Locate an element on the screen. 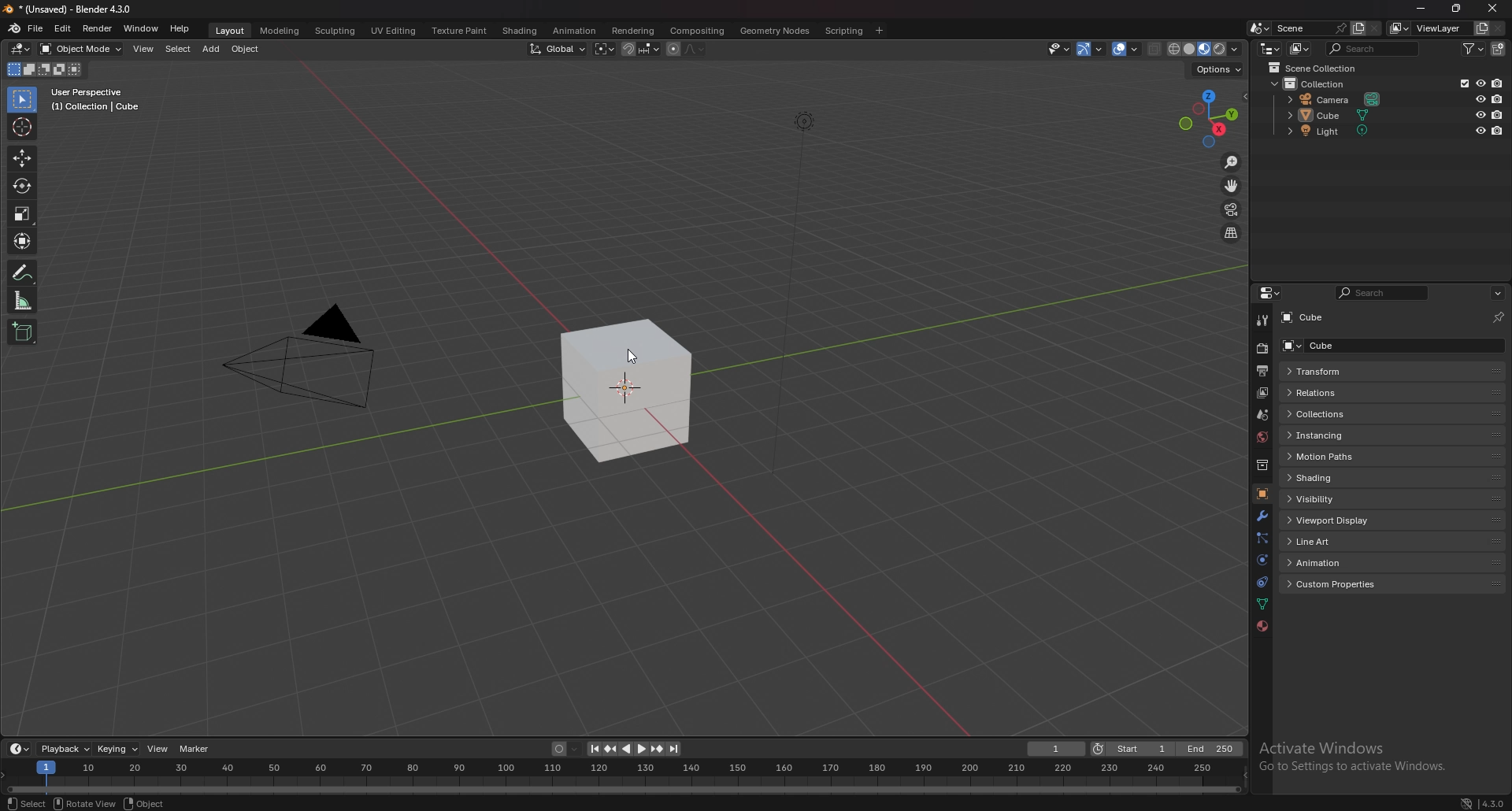  select is located at coordinates (177, 49).